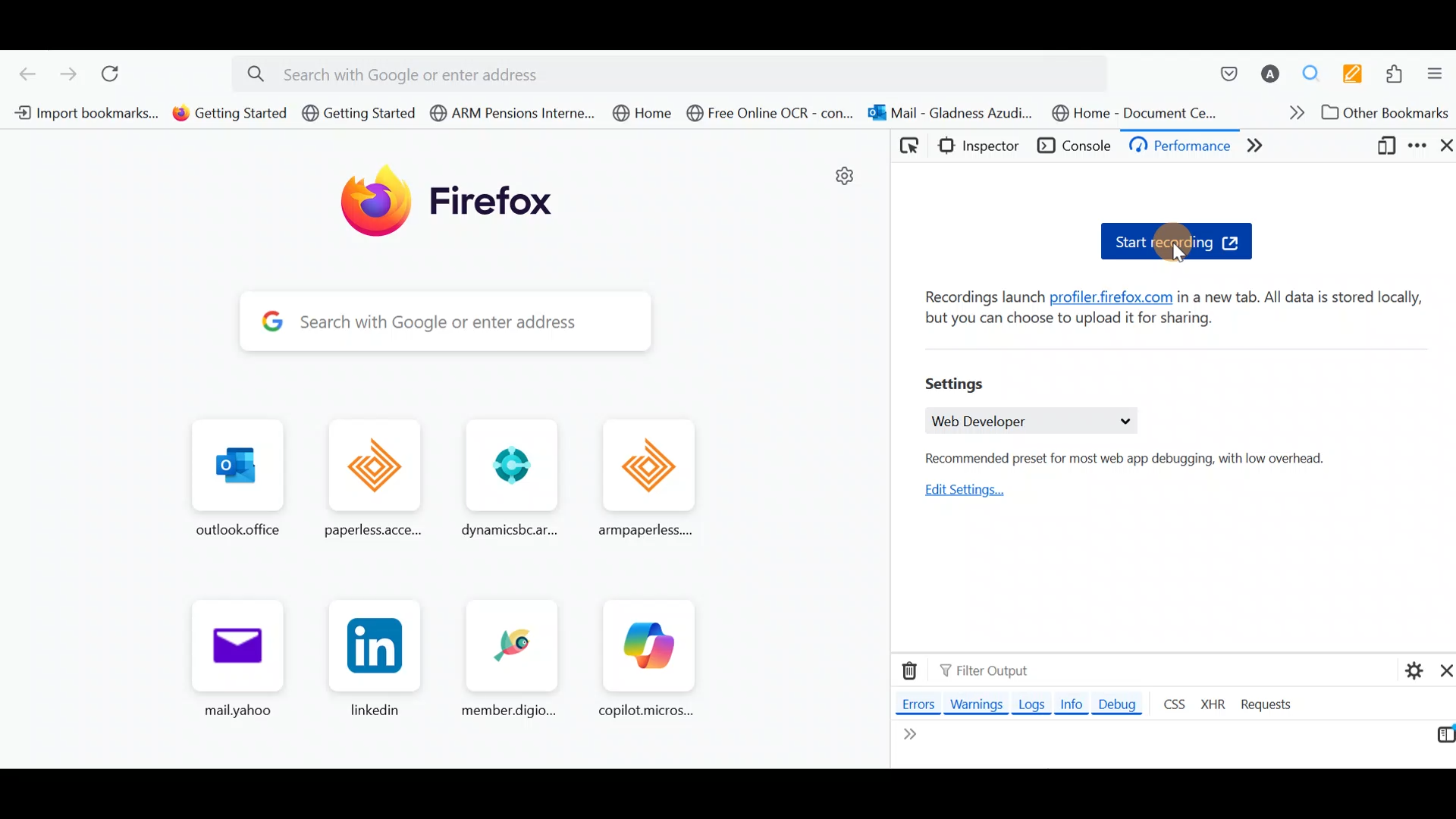 Image resolution: width=1456 pixels, height=819 pixels. I want to click on Open application menu, so click(1439, 77).